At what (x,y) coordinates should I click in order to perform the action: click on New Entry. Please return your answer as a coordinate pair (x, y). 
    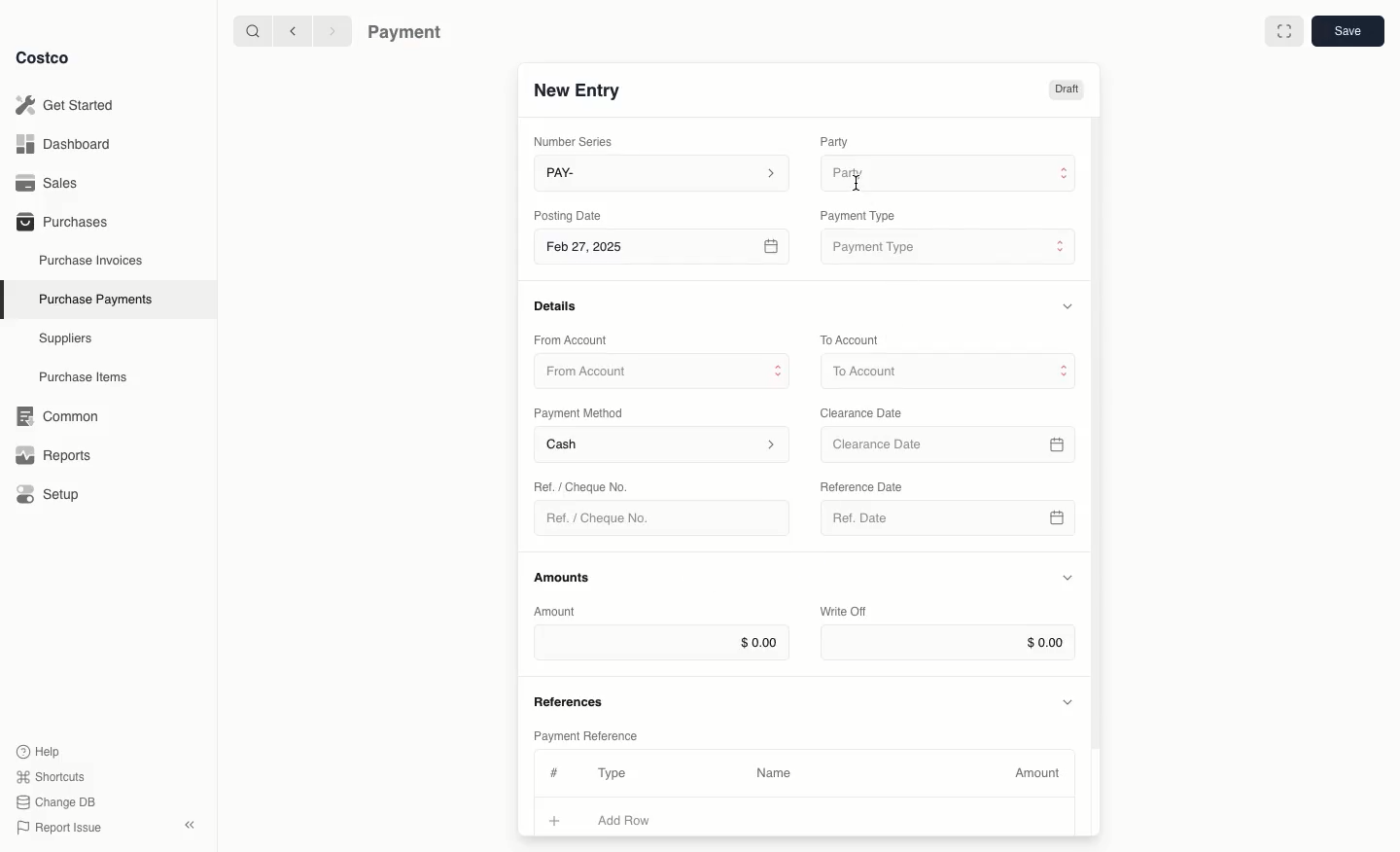
    Looking at the image, I should click on (578, 89).